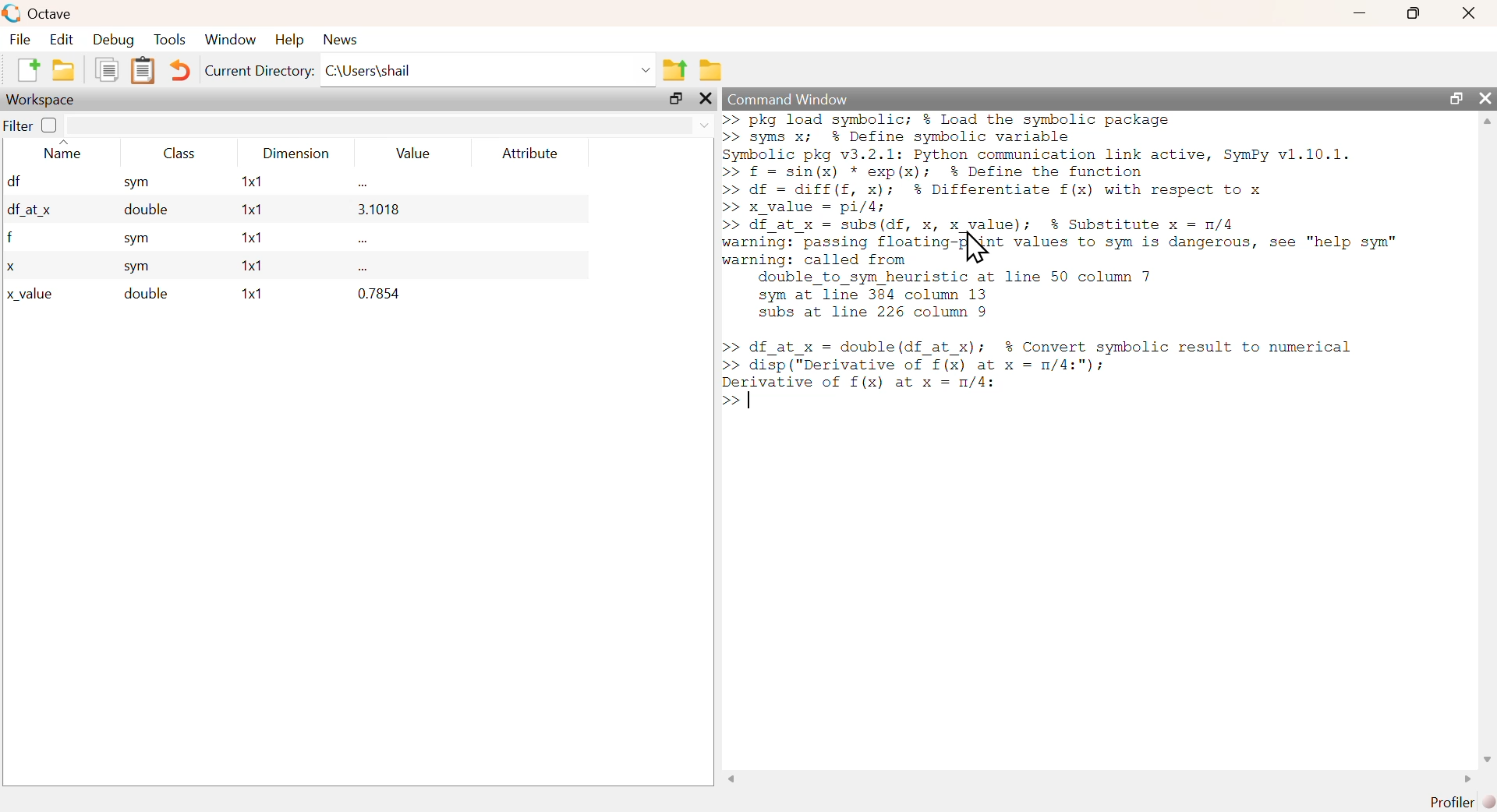  What do you see at coordinates (171, 40) in the screenshot?
I see `Tools` at bounding box center [171, 40].